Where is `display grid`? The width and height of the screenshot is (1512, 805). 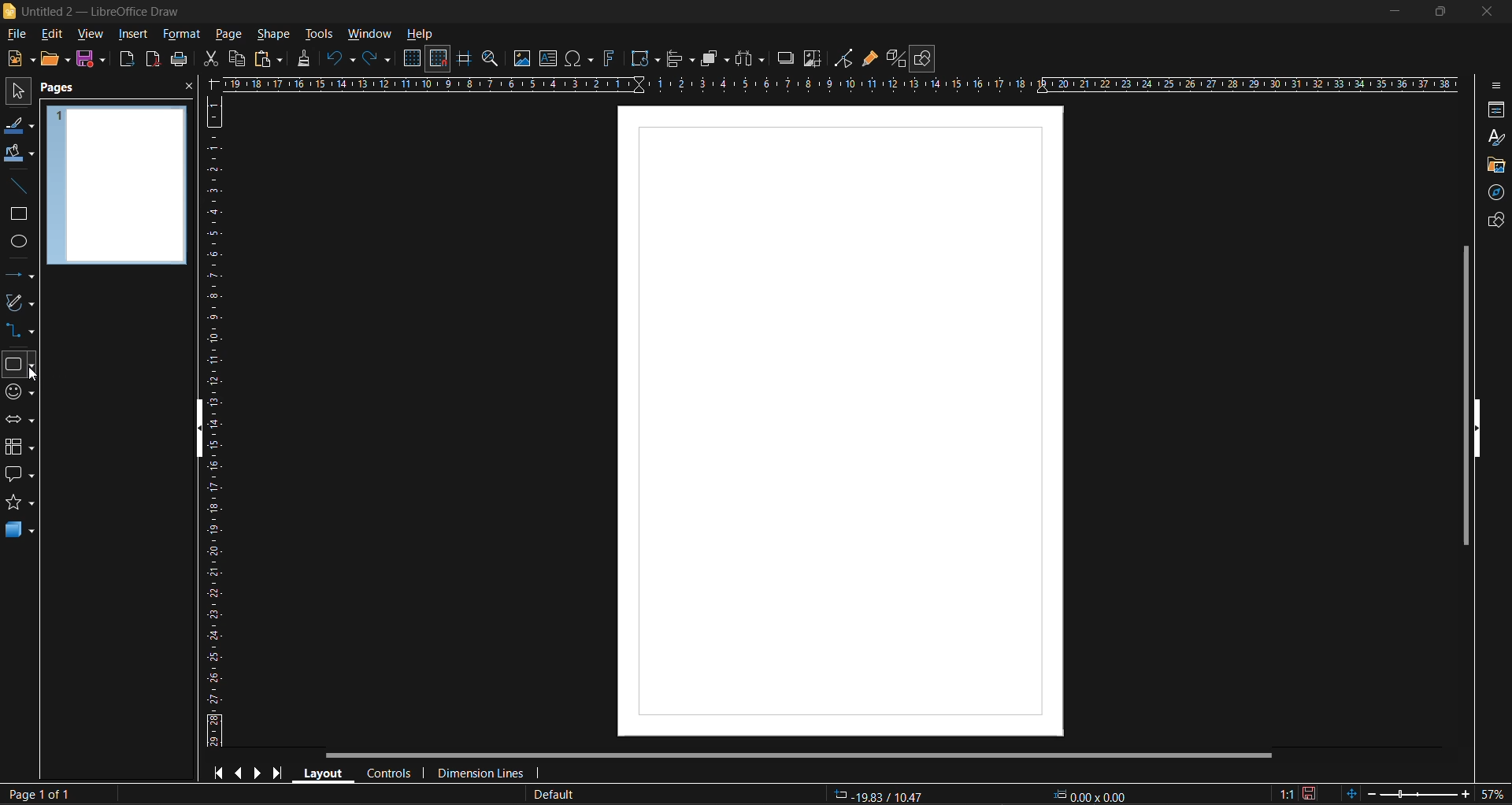
display grid is located at coordinates (414, 59).